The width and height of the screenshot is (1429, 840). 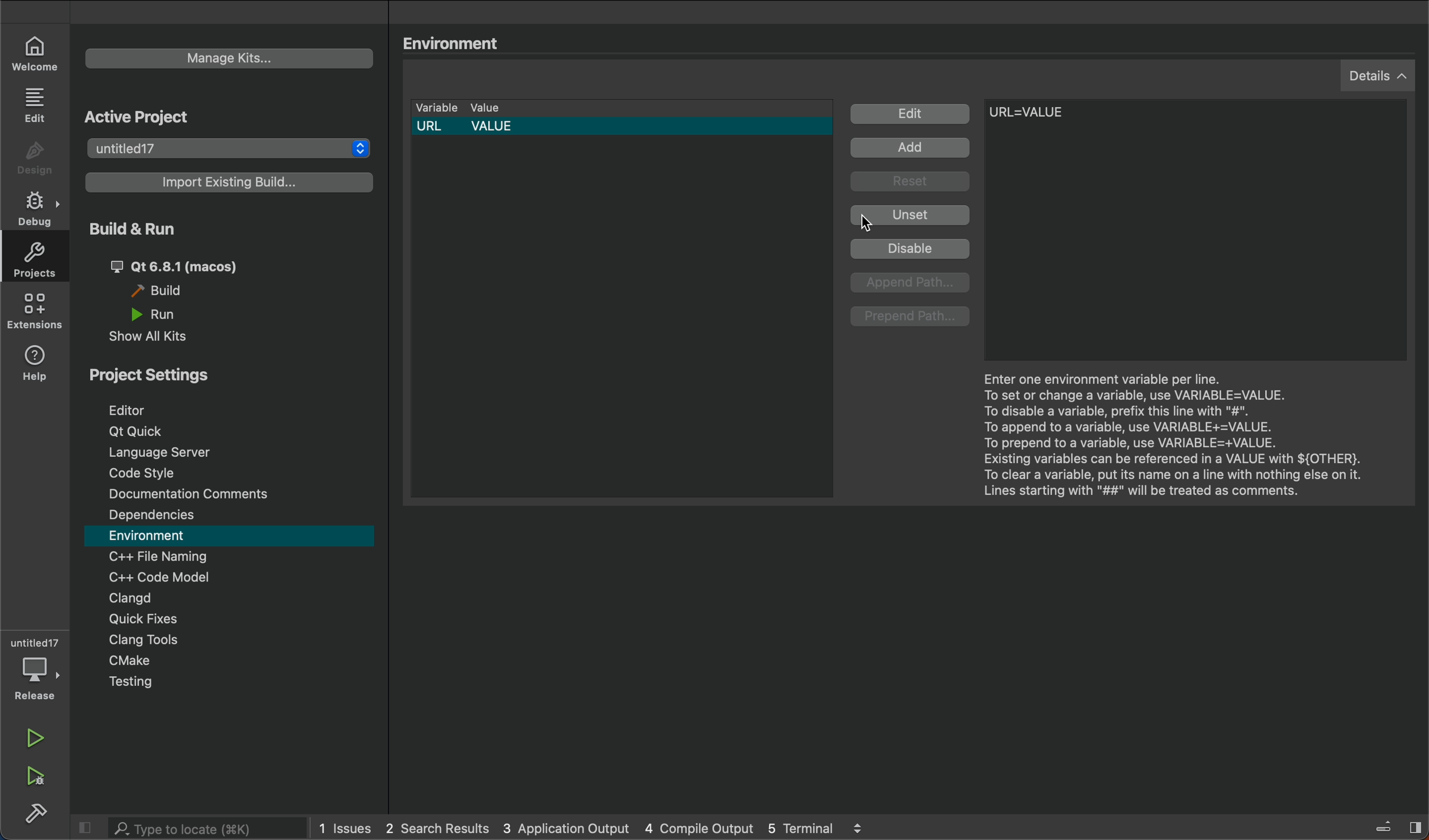 I want to click on cmake, so click(x=134, y=663).